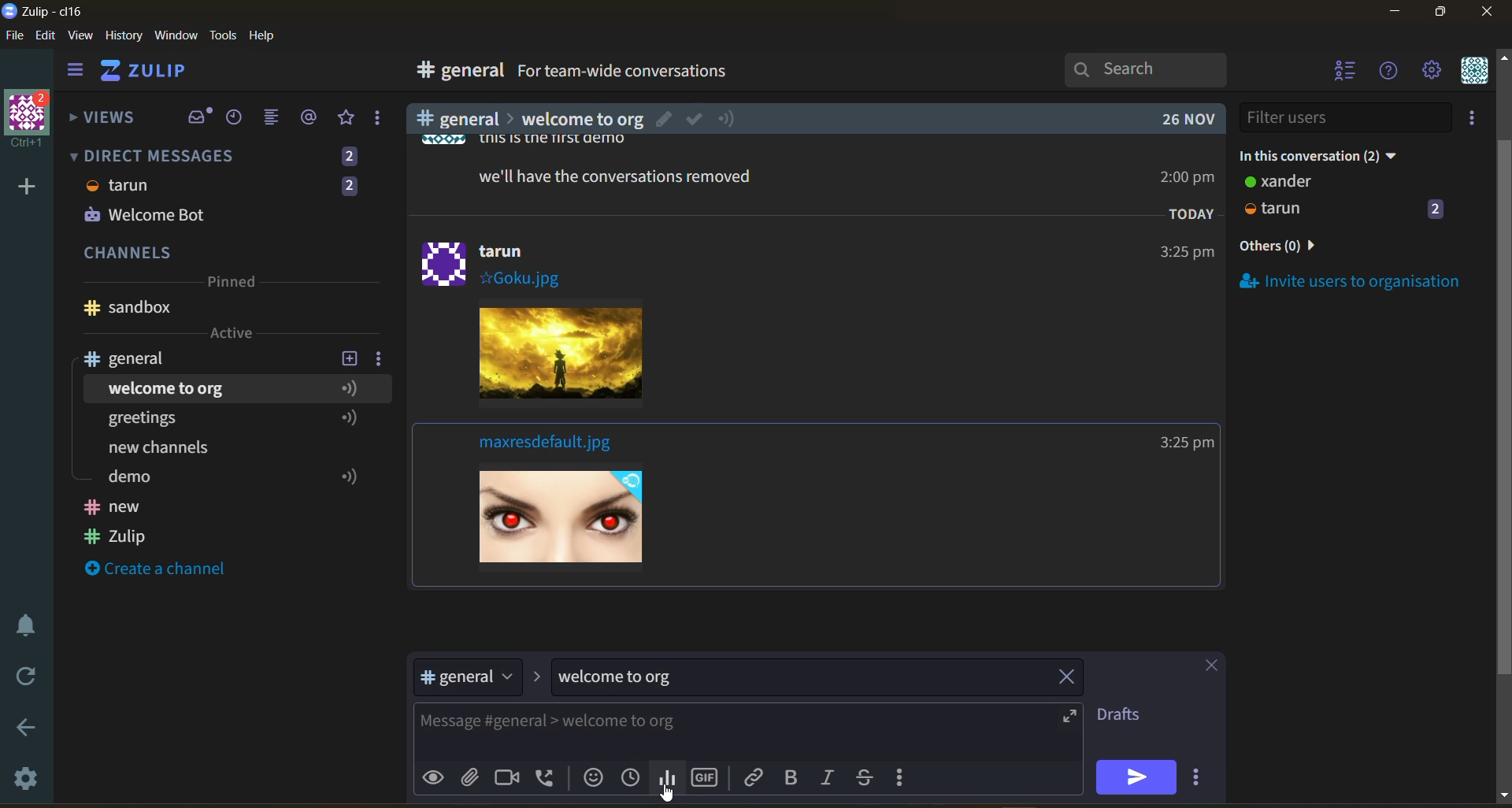  Describe the element at coordinates (1335, 153) in the screenshot. I see `in this conversation` at that location.